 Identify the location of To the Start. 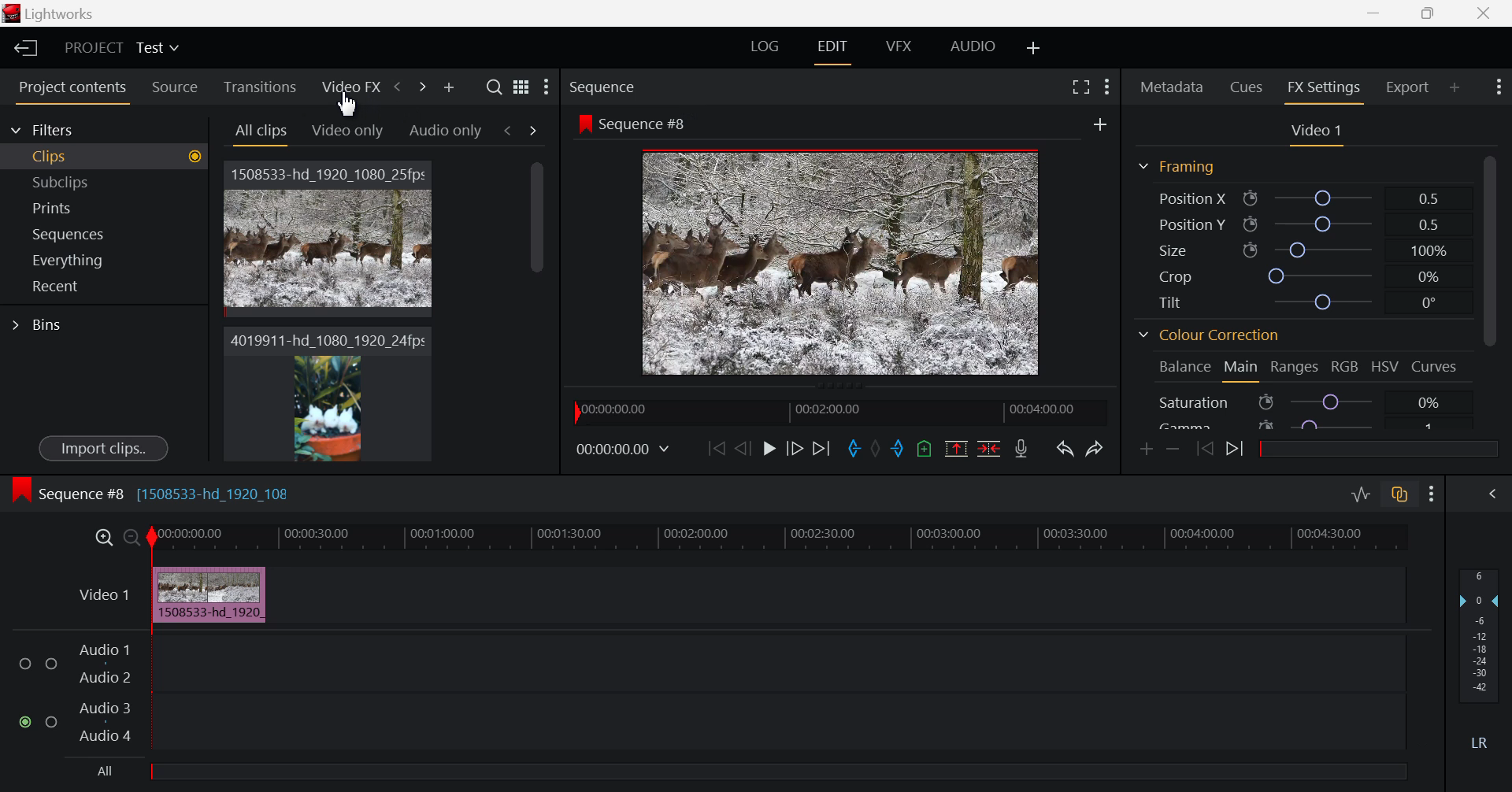
(715, 450).